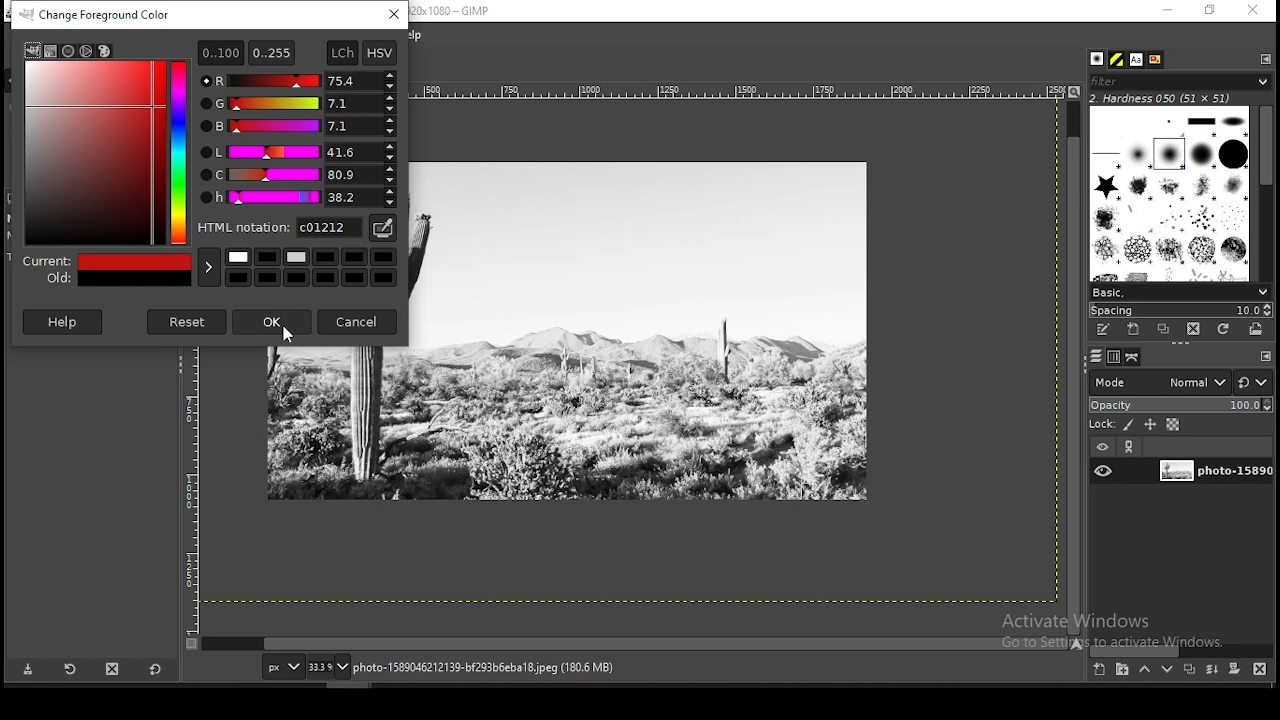  What do you see at coordinates (506, 667) in the screenshot?
I see `` at bounding box center [506, 667].